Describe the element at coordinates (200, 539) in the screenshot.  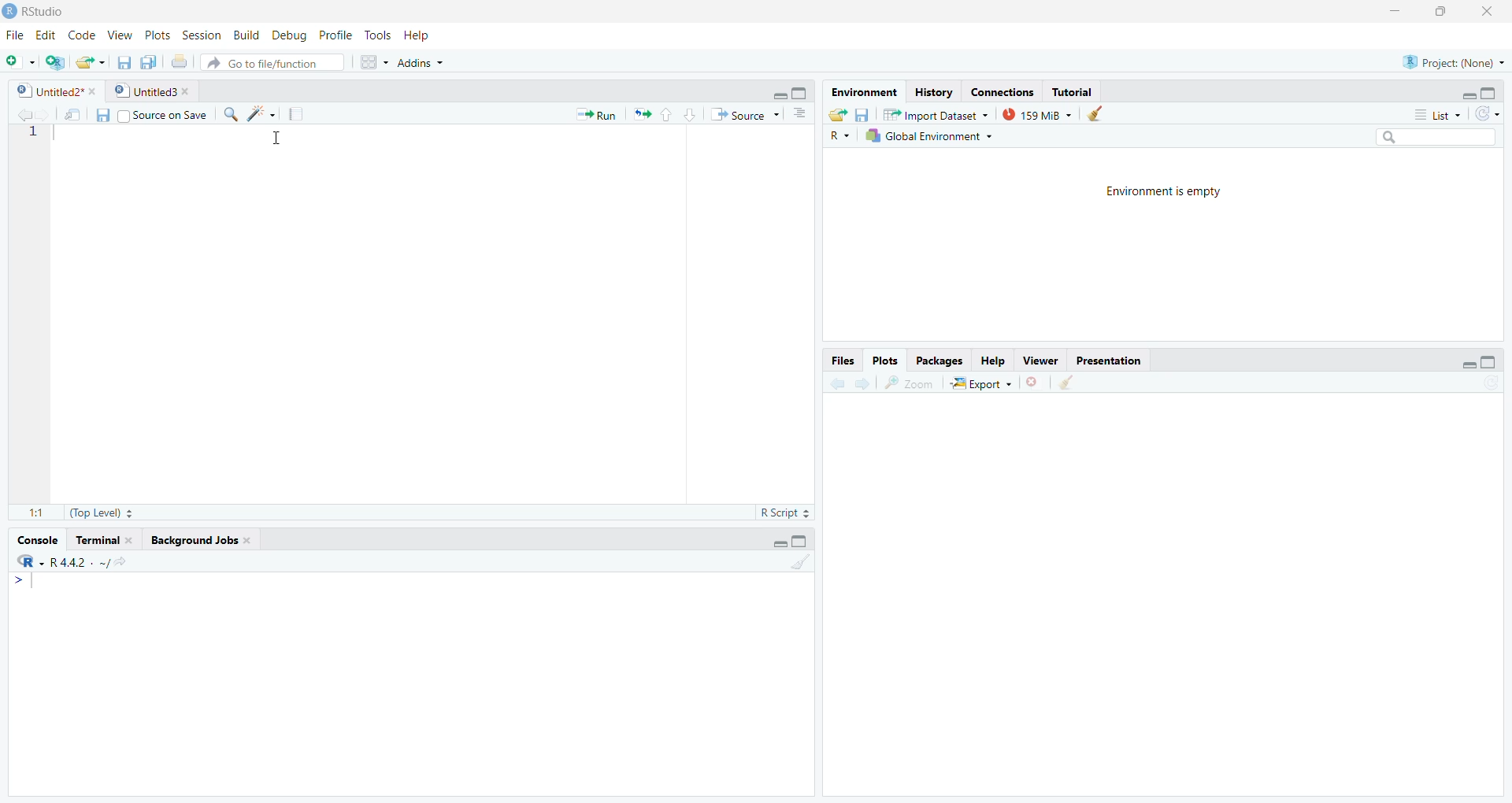
I see `Background Jobs` at that location.